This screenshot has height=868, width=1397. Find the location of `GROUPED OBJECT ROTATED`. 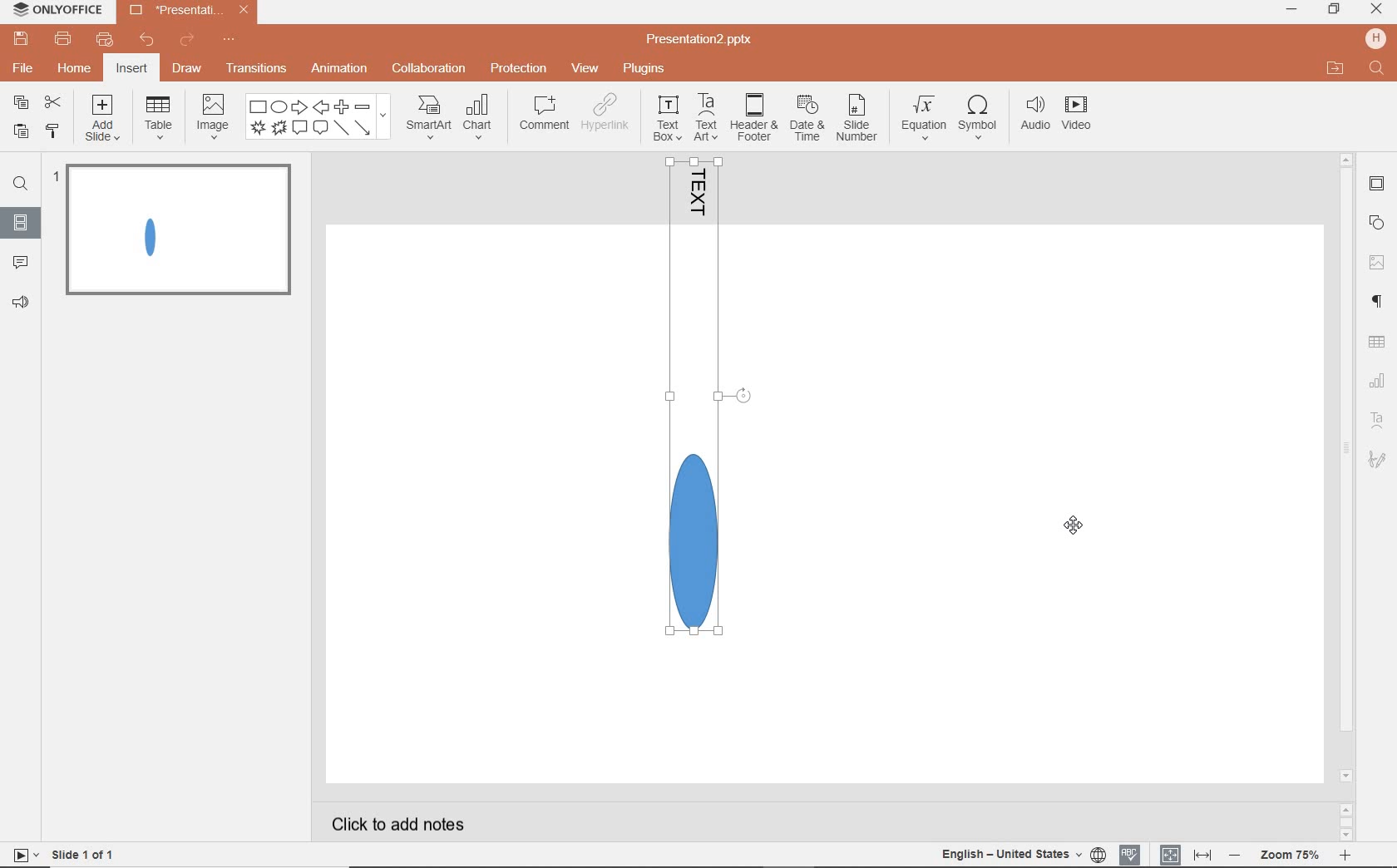

GROUPED OBJECT ROTATED is located at coordinates (693, 409).